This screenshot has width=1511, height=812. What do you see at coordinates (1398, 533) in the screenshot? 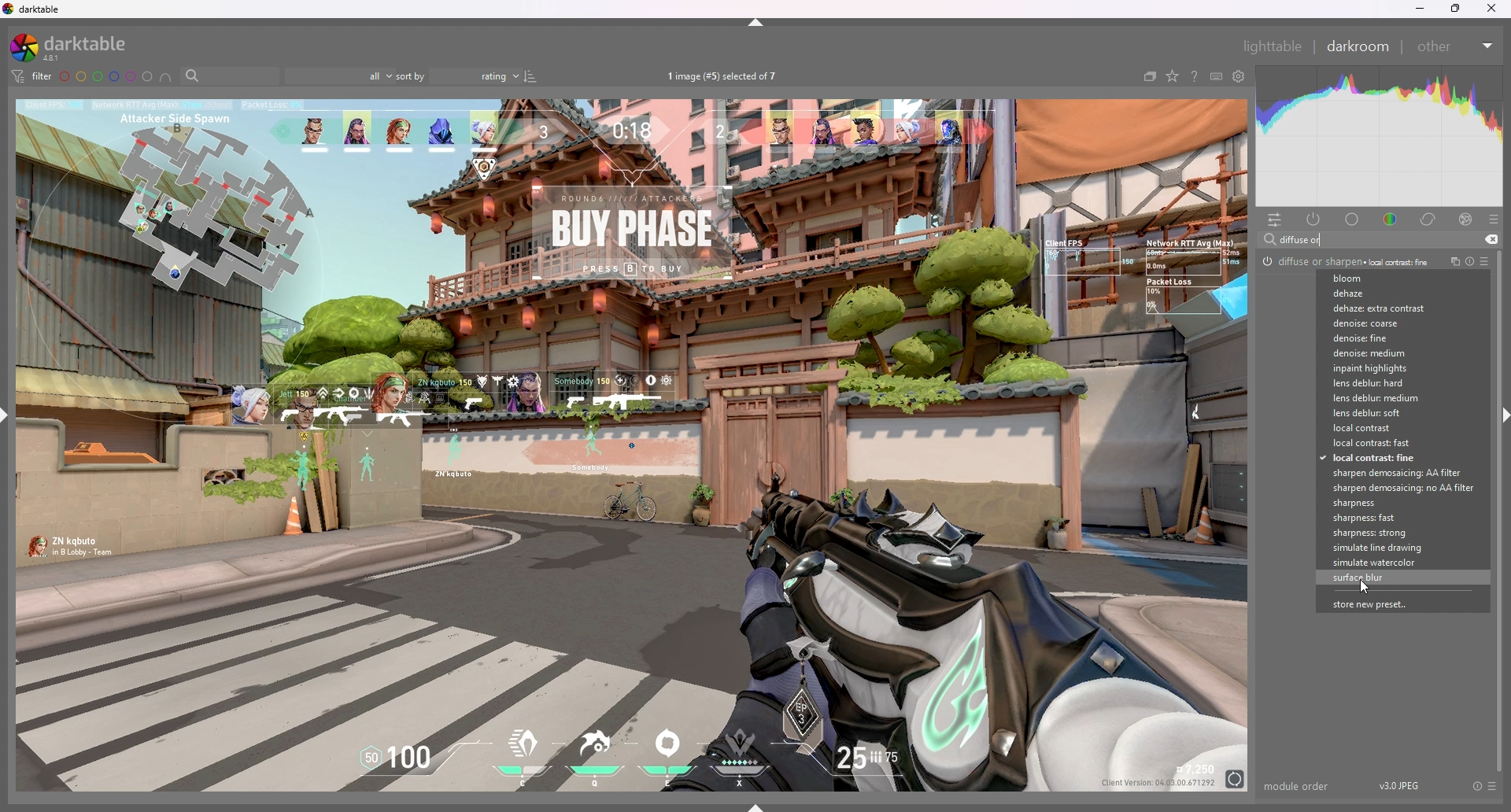
I see `sharpness strong` at bounding box center [1398, 533].